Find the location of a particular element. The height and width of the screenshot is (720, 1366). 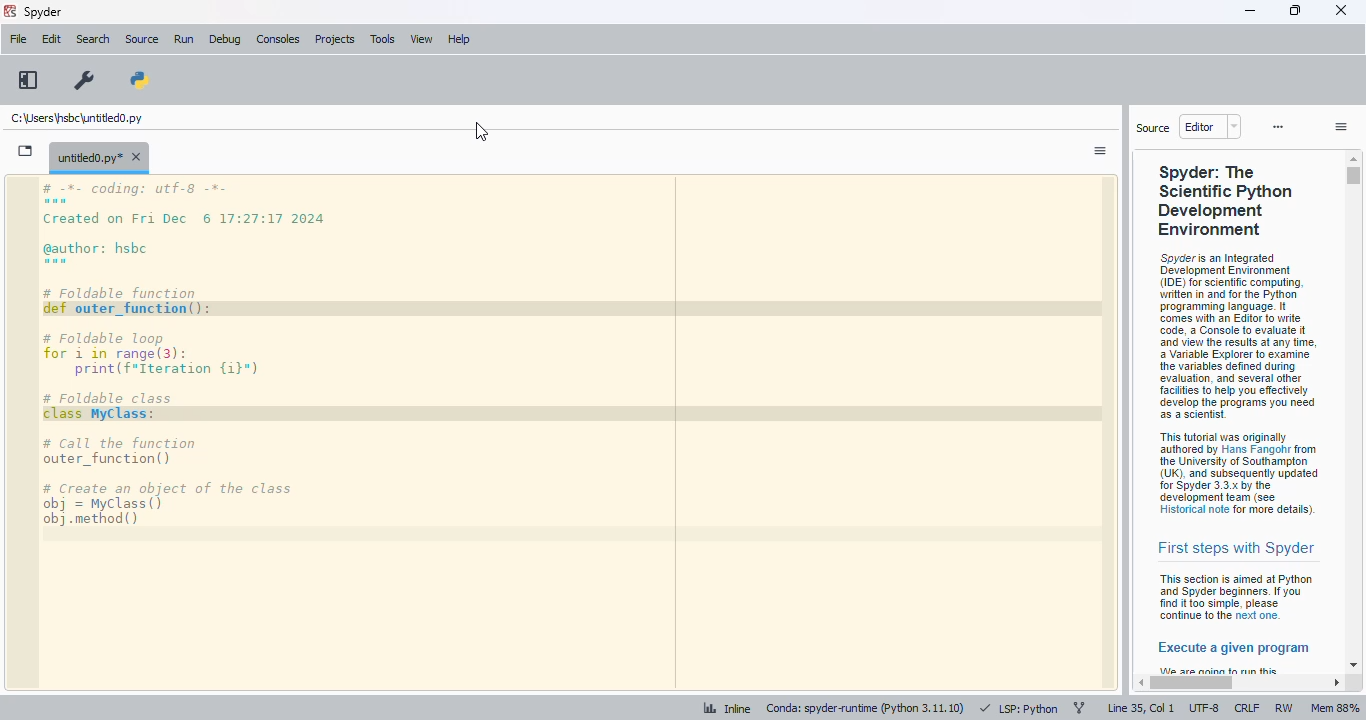

view is located at coordinates (423, 39).